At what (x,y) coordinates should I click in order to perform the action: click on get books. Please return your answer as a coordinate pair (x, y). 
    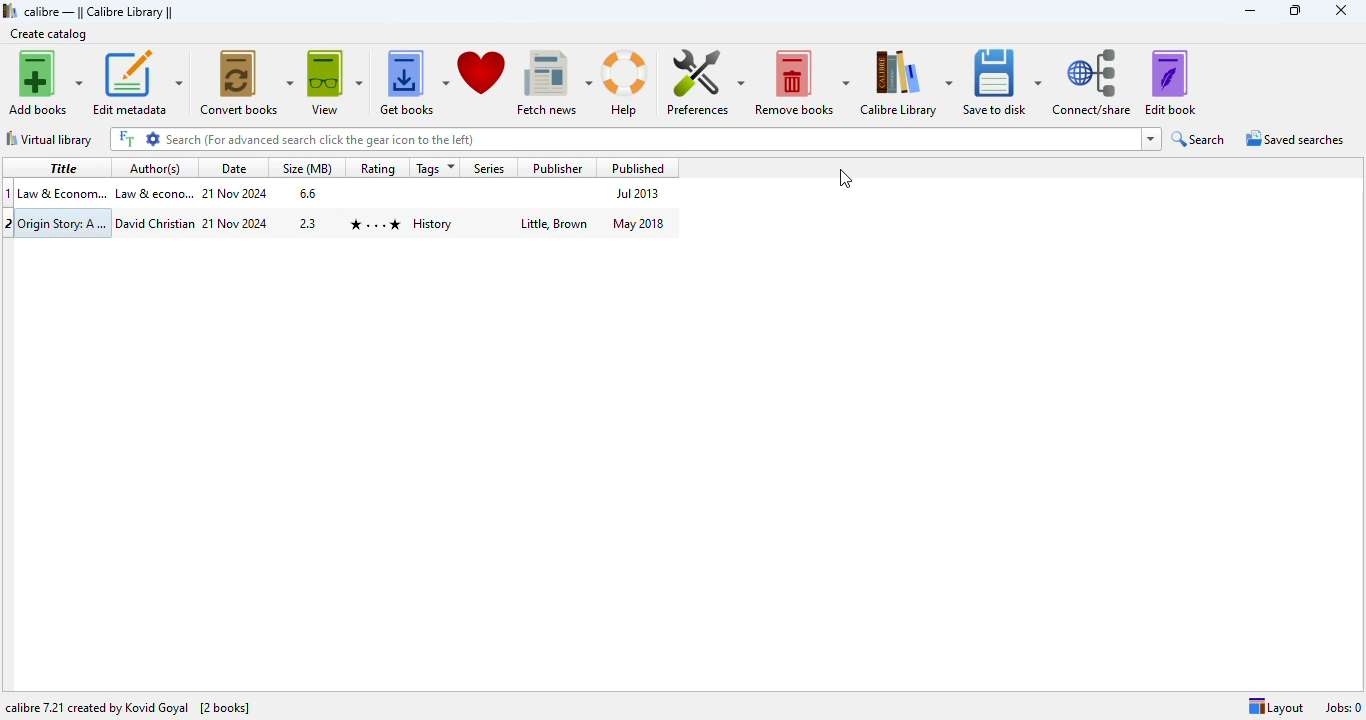
    Looking at the image, I should click on (414, 79).